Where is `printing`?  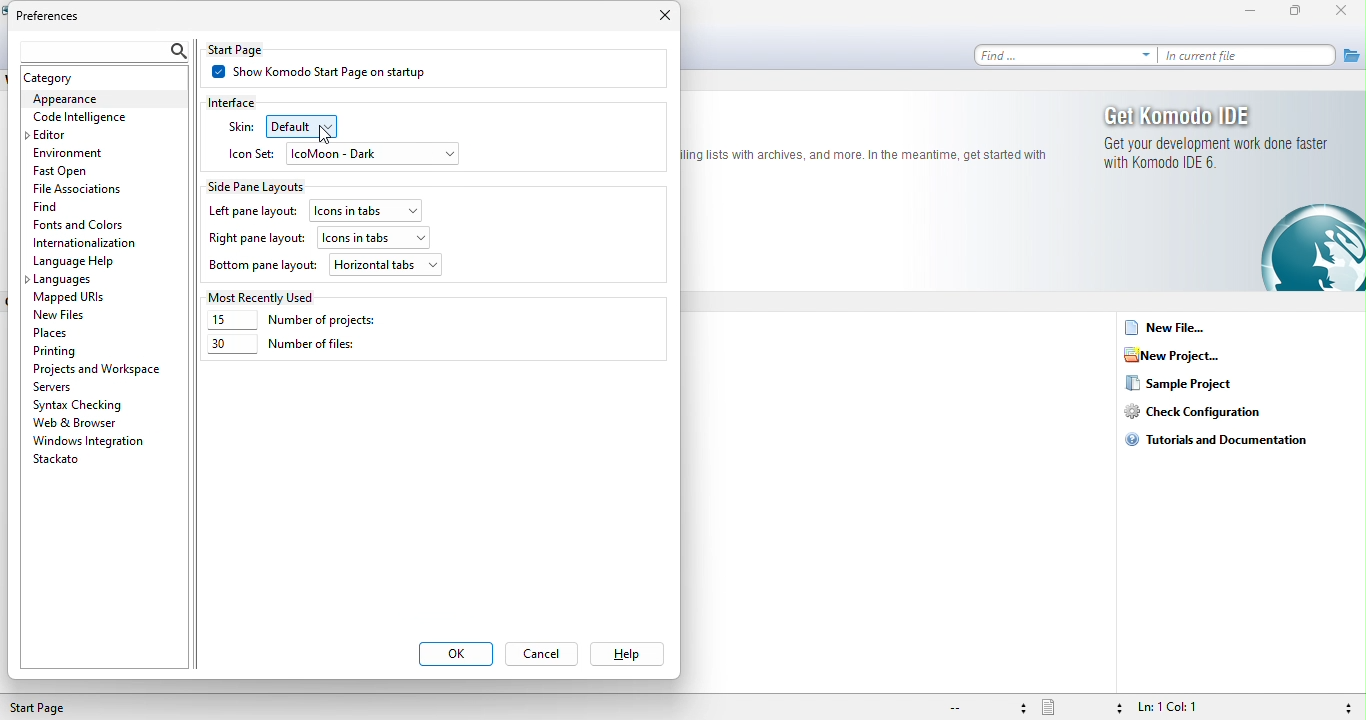 printing is located at coordinates (59, 351).